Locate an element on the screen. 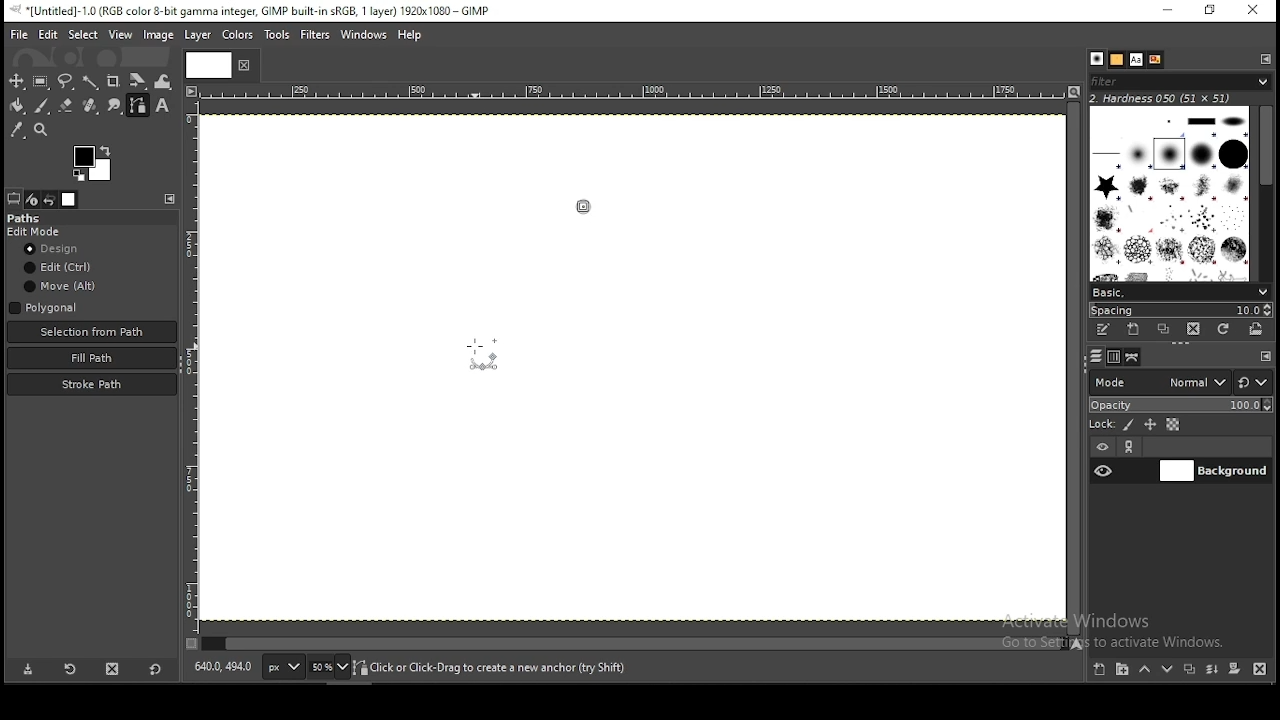 The height and width of the screenshot is (720, 1280). move is located at coordinates (61, 286).